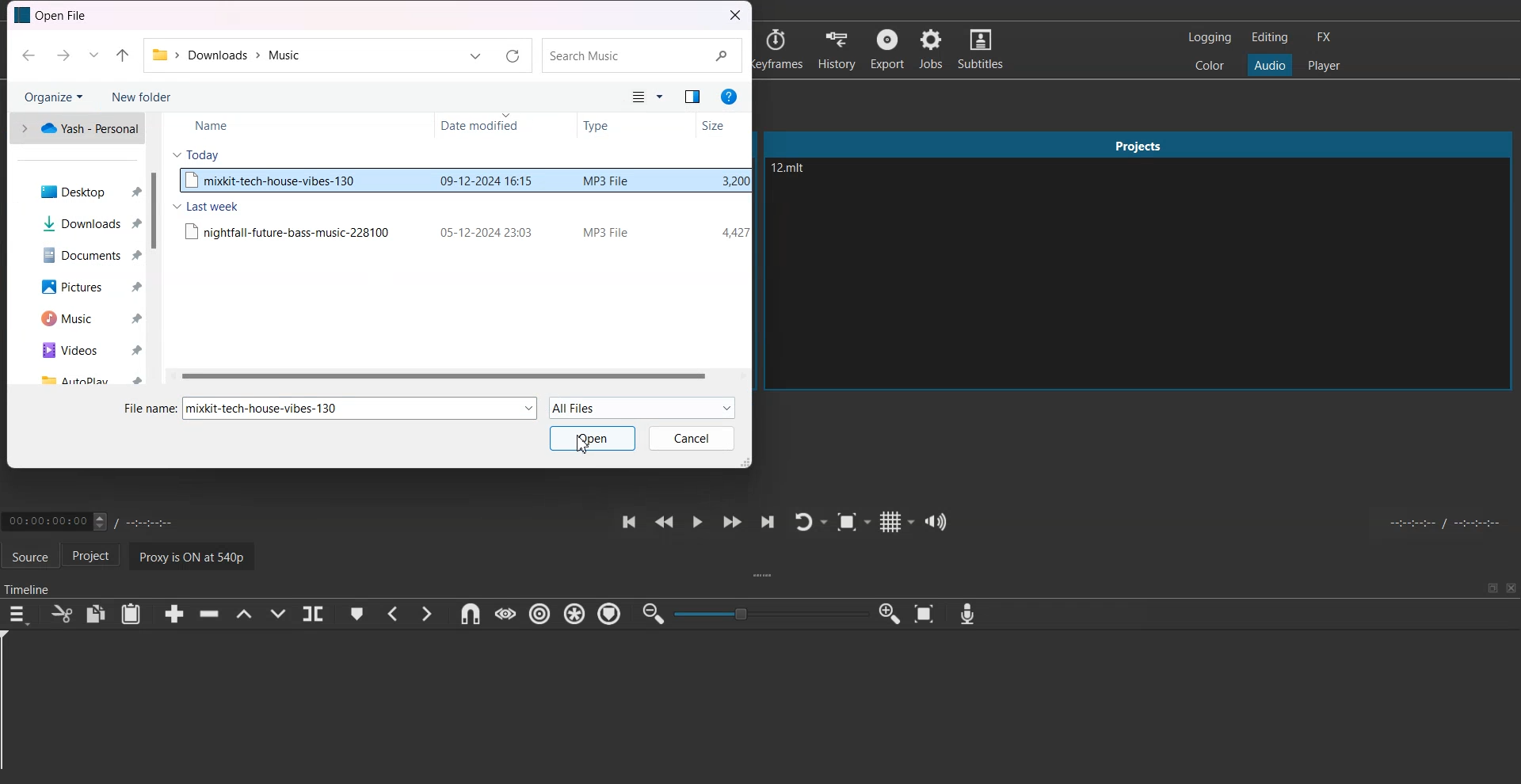 The height and width of the screenshot is (784, 1521). I want to click on Project, so click(1139, 142).